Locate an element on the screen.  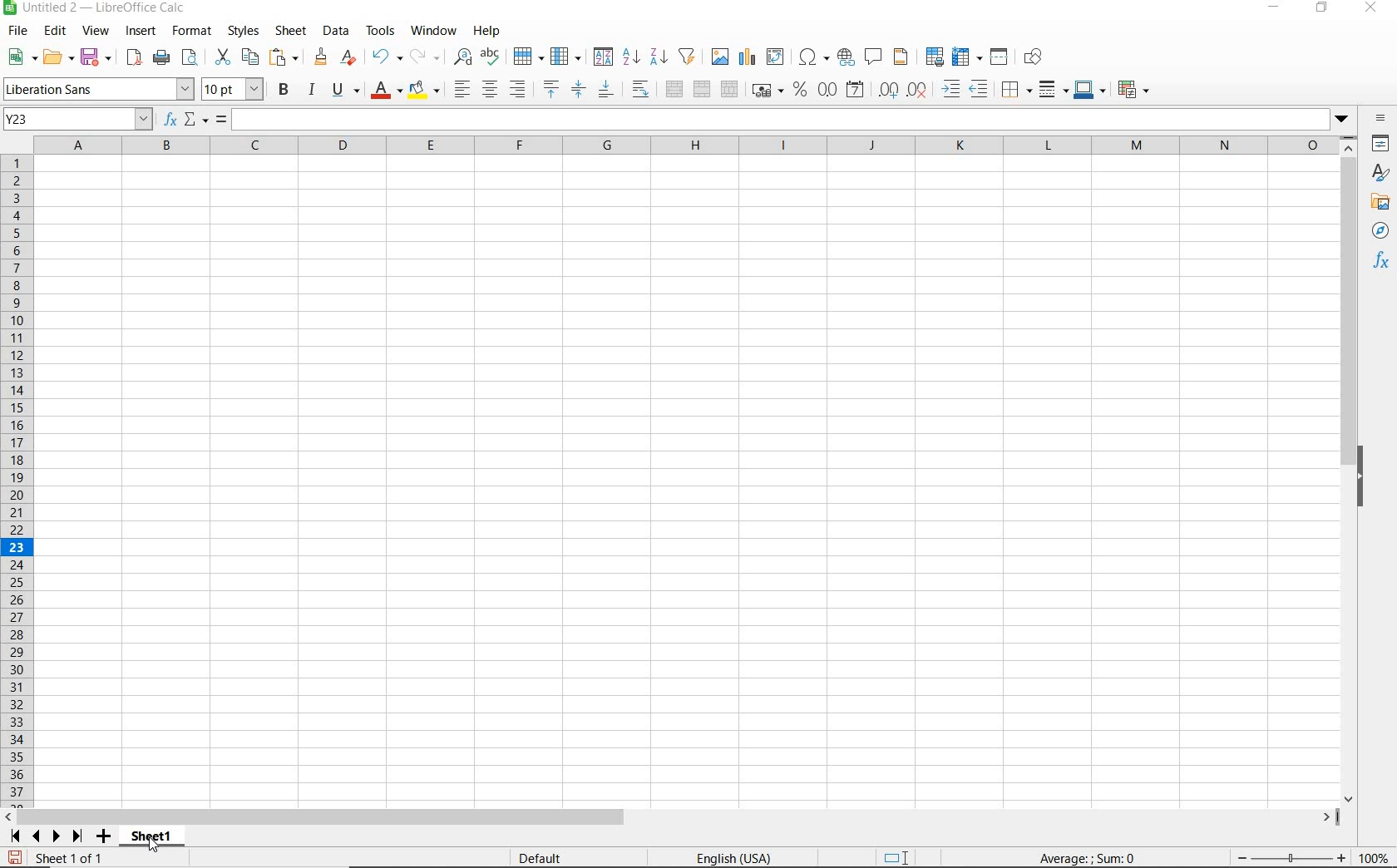
EXPORT DIRECTLY AS PDF is located at coordinates (133, 59).